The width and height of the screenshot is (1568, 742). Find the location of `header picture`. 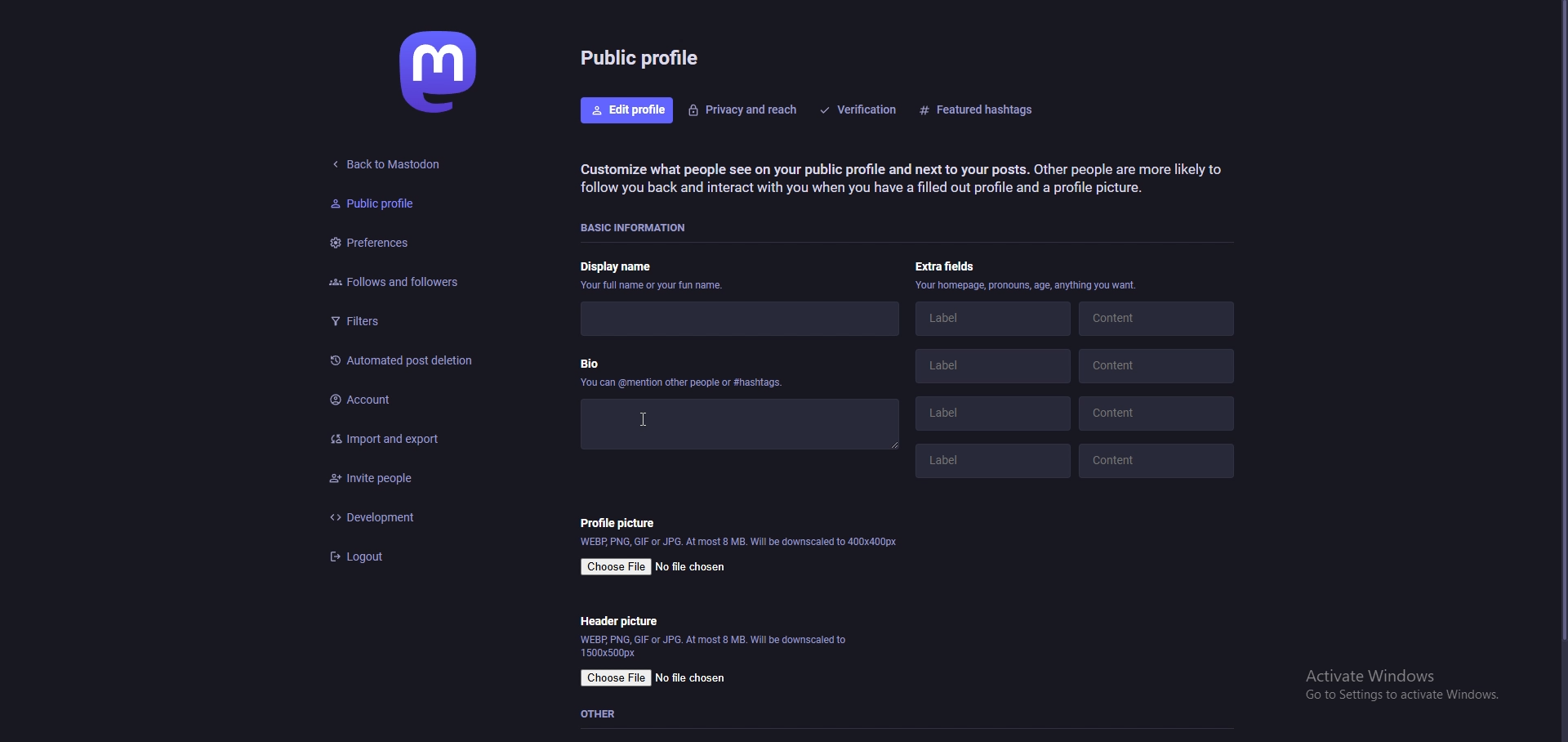

header picture is located at coordinates (618, 621).